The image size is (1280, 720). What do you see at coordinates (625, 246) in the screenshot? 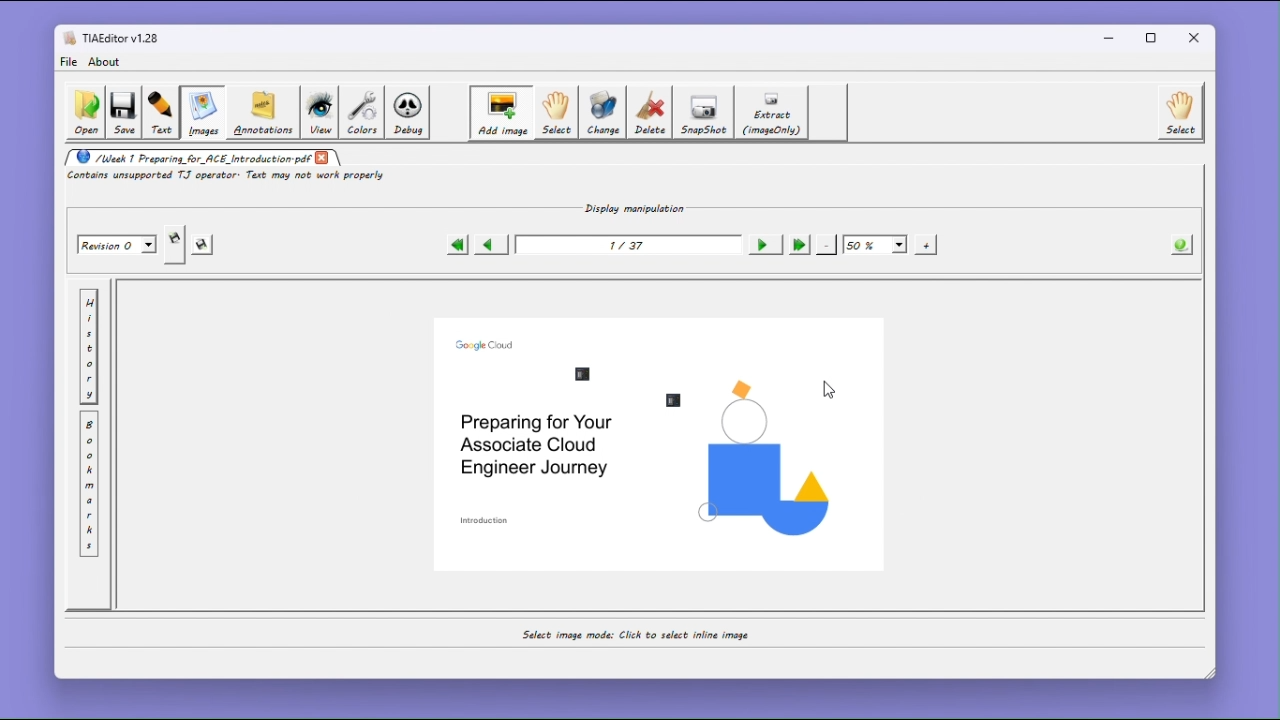
I see `1/37` at bounding box center [625, 246].